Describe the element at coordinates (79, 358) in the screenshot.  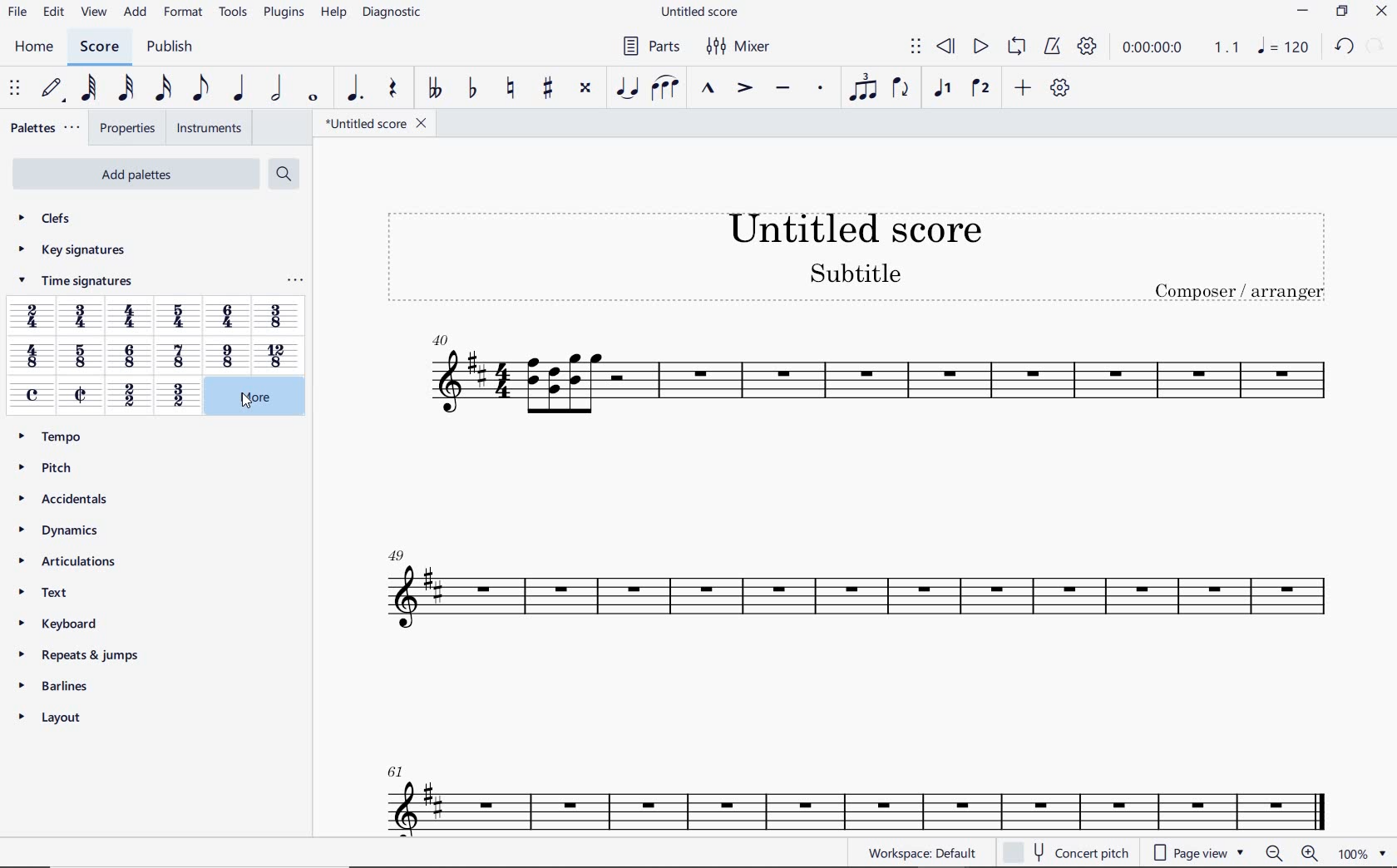
I see `5/8` at that location.